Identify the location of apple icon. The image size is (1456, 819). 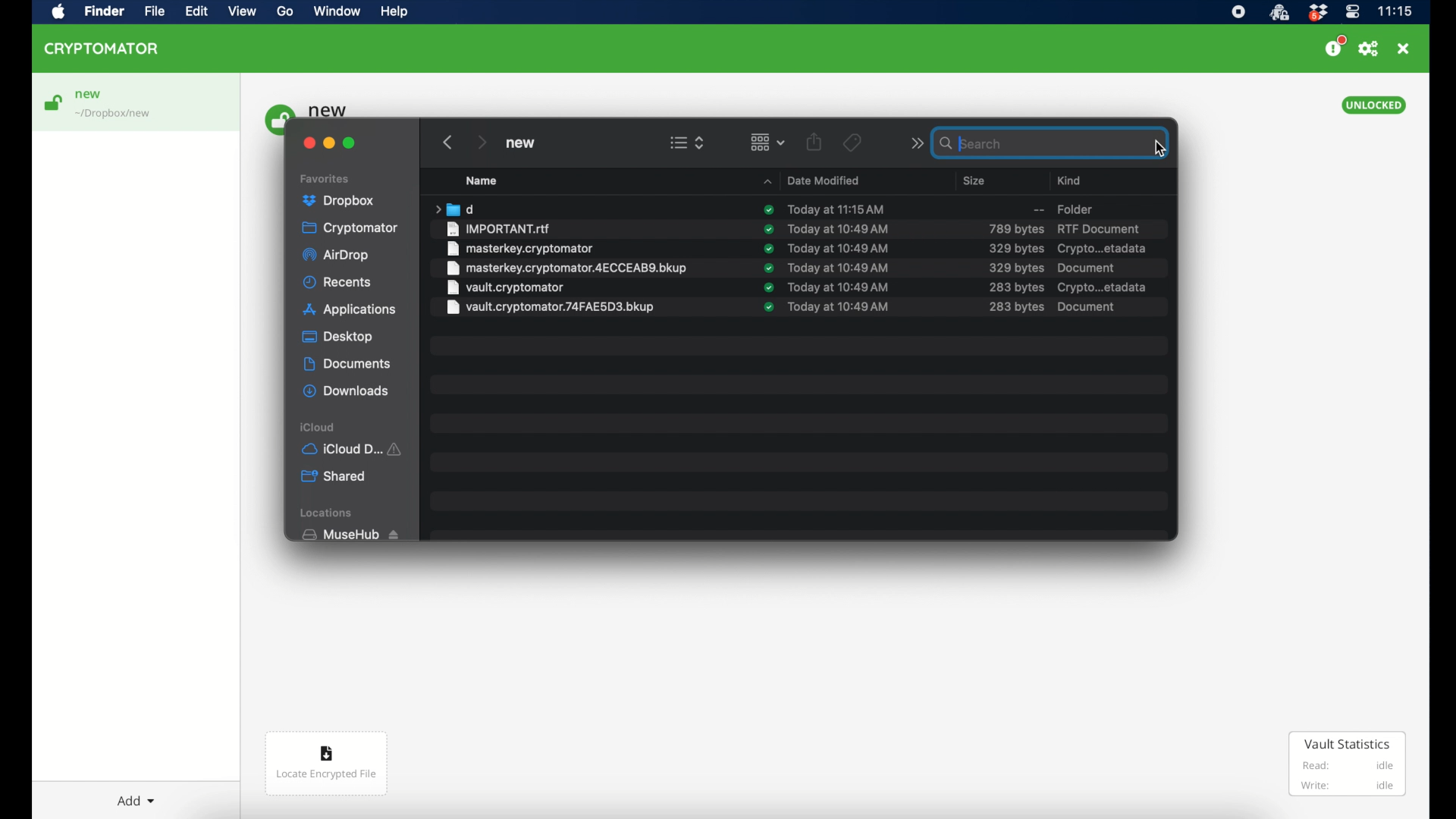
(59, 13).